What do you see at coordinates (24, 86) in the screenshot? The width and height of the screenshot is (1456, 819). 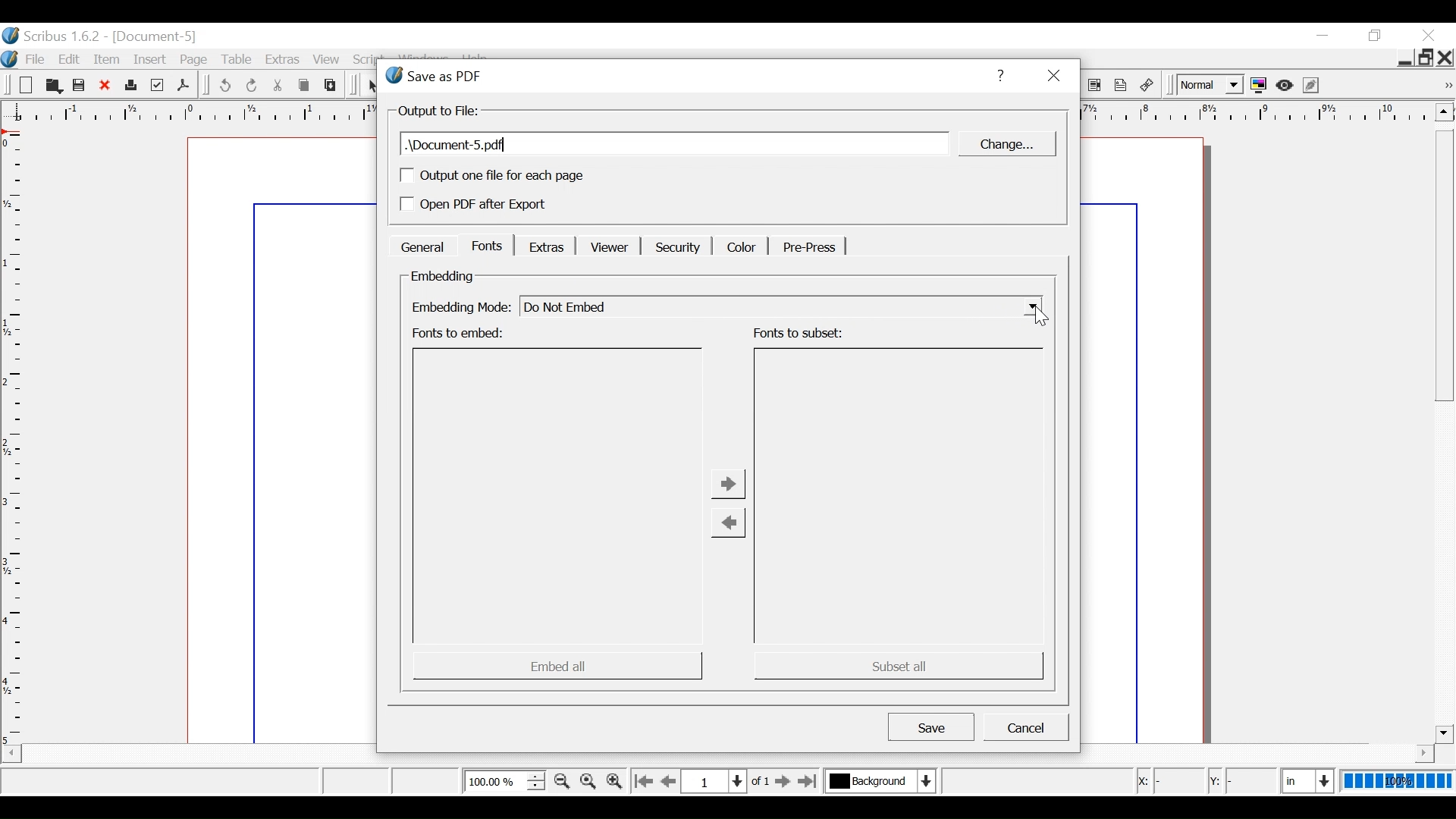 I see `Open` at bounding box center [24, 86].